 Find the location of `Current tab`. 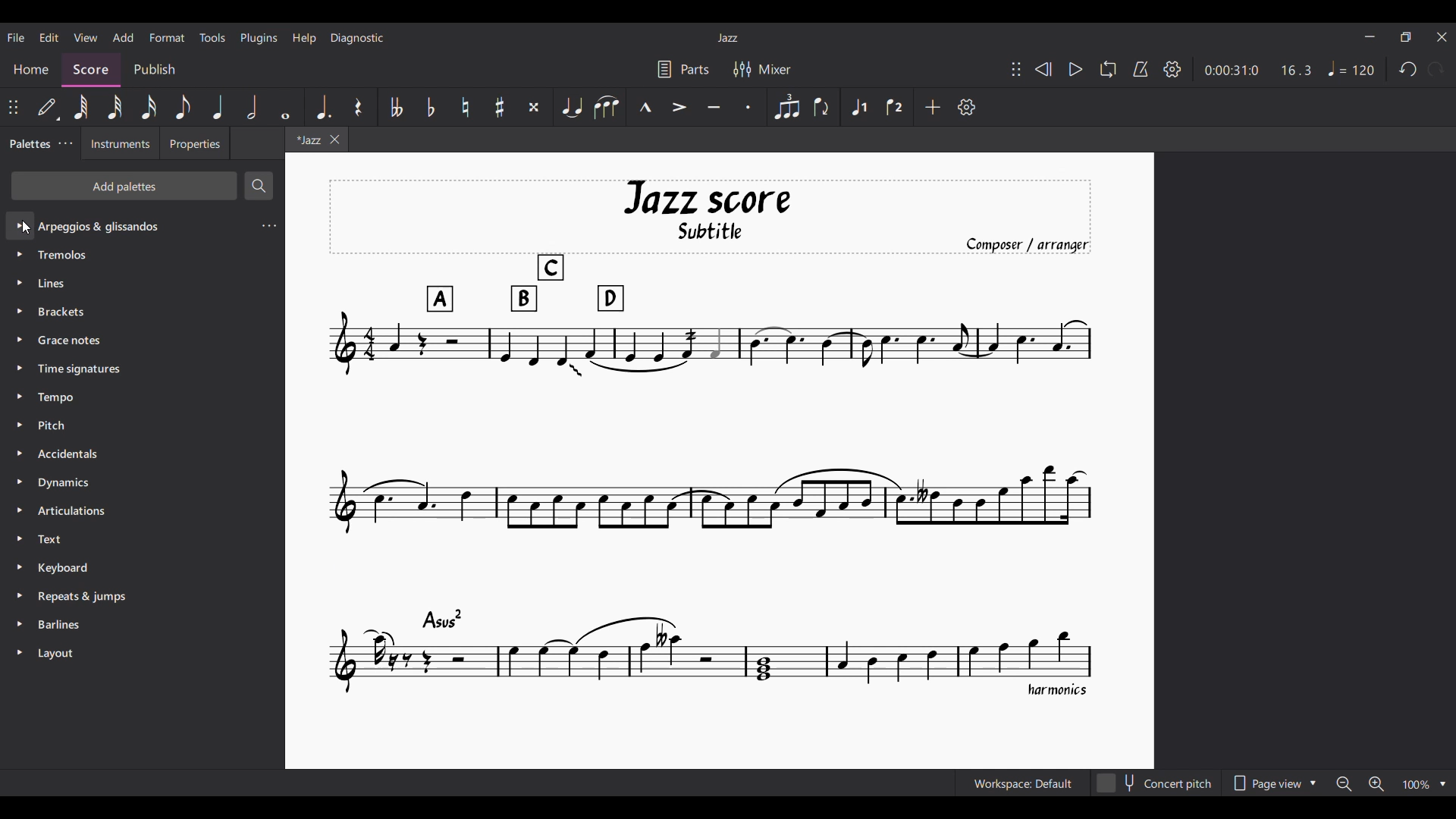

Current tab is located at coordinates (302, 142).